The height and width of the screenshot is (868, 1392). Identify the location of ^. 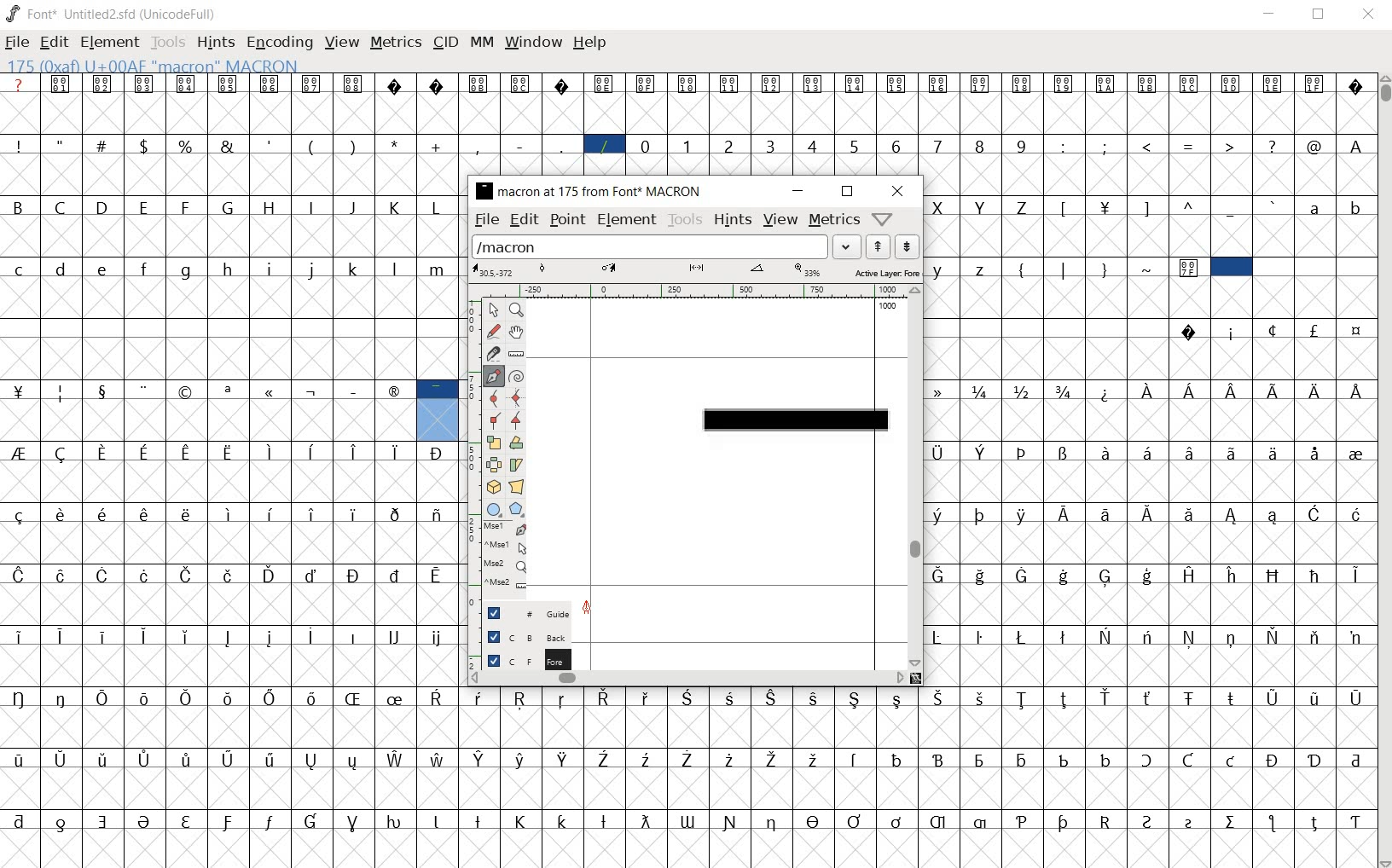
(1190, 206).